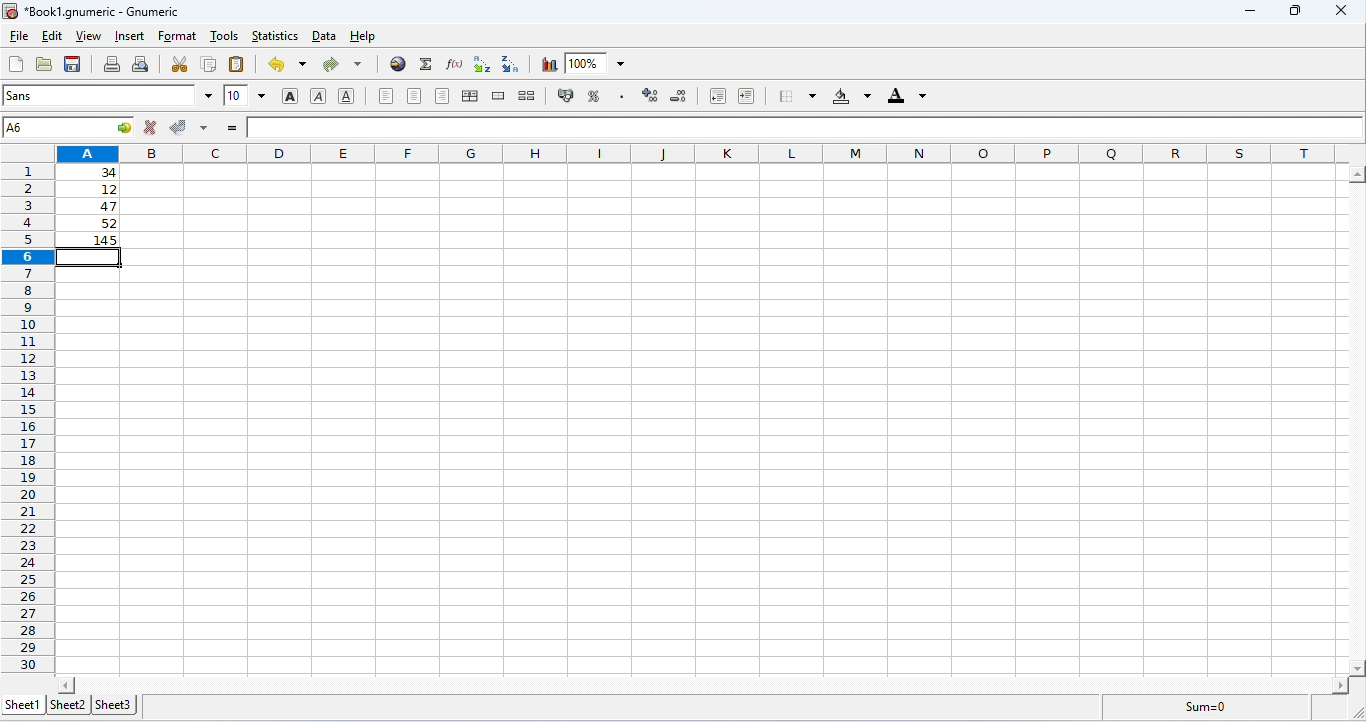 The width and height of the screenshot is (1366, 722). I want to click on 34, so click(89, 172).